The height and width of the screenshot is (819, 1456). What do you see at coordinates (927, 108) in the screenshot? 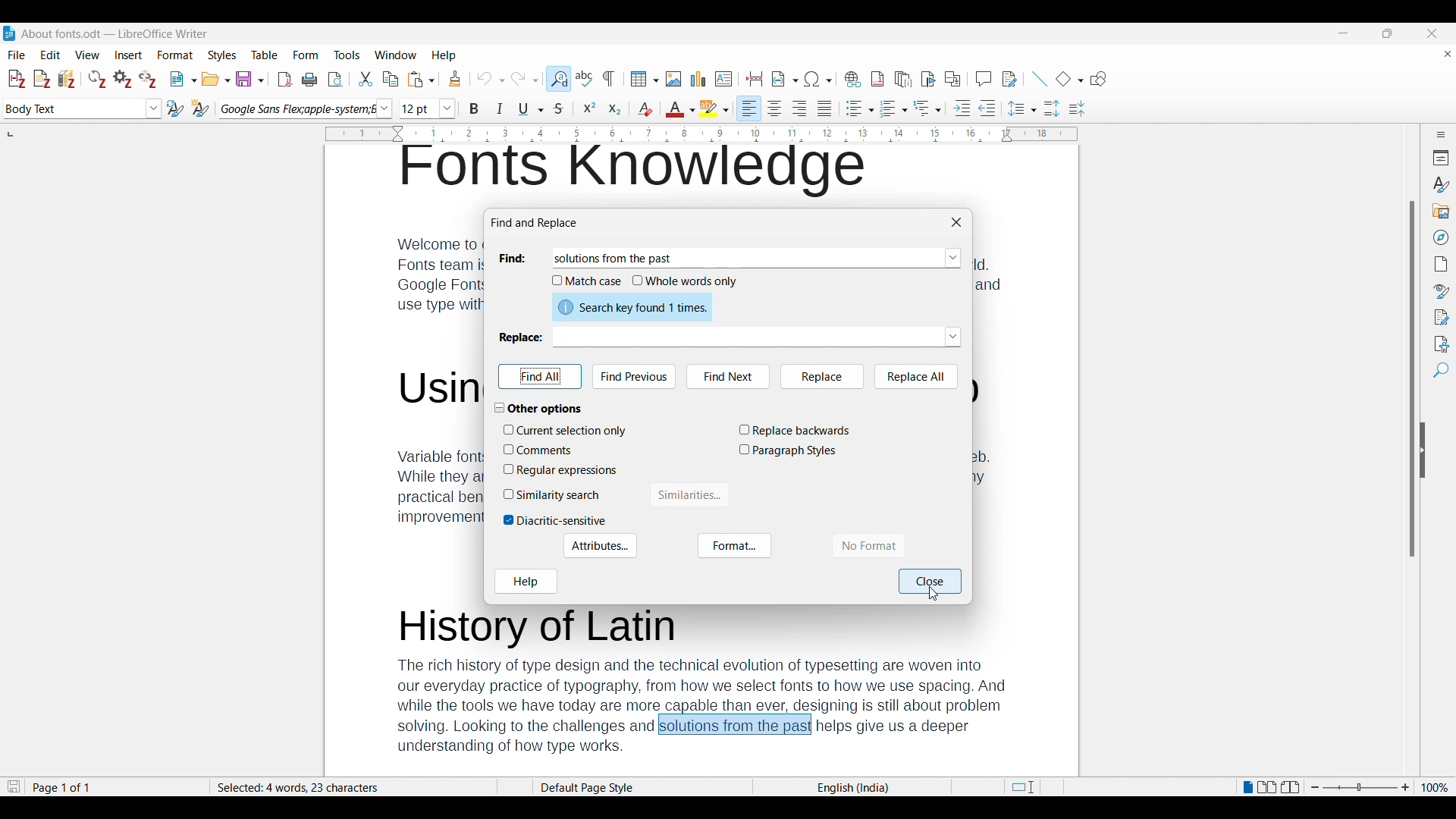
I see `Select outline format options` at bounding box center [927, 108].